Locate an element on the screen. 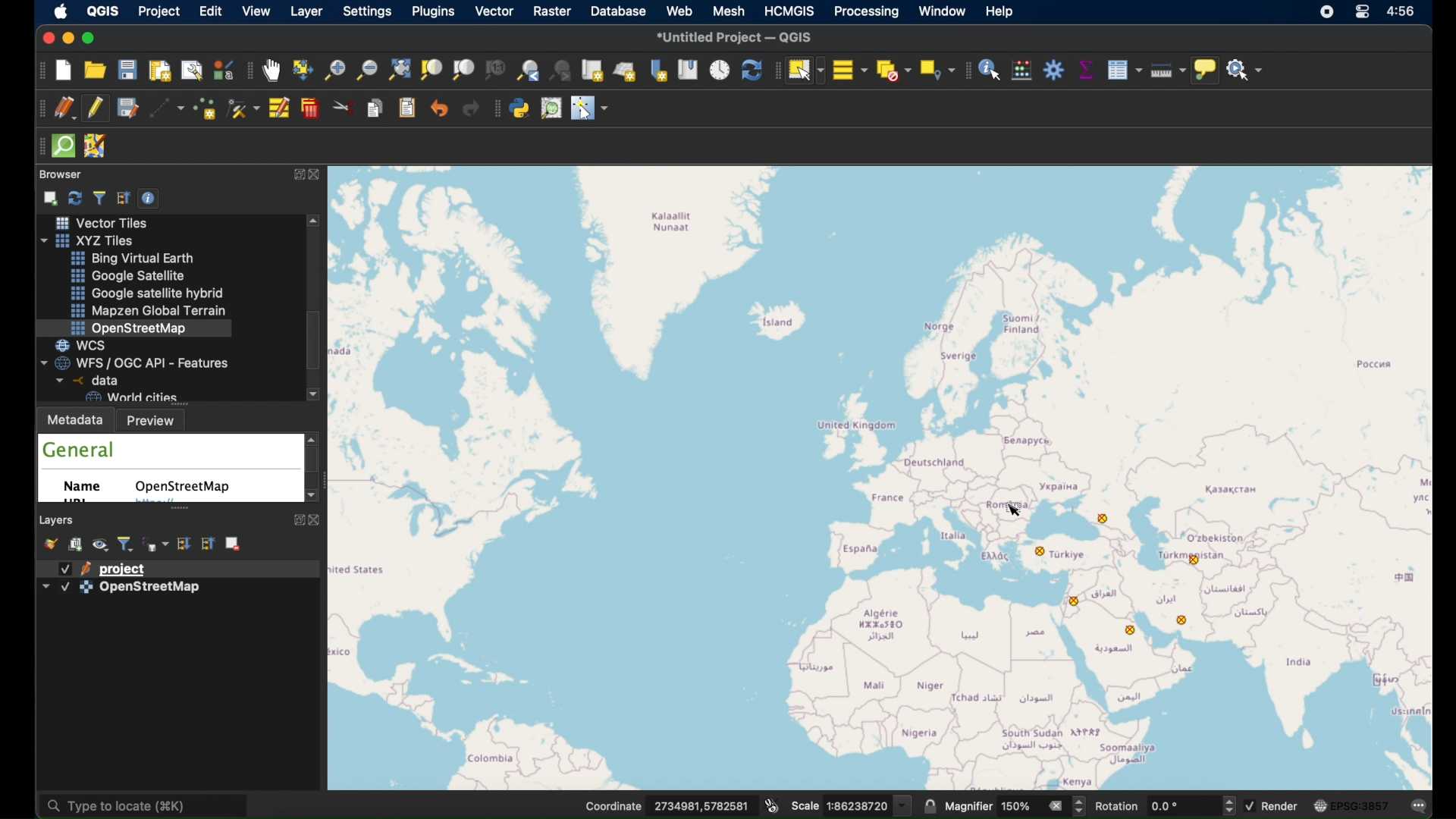  time is located at coordinates (1404, 13).